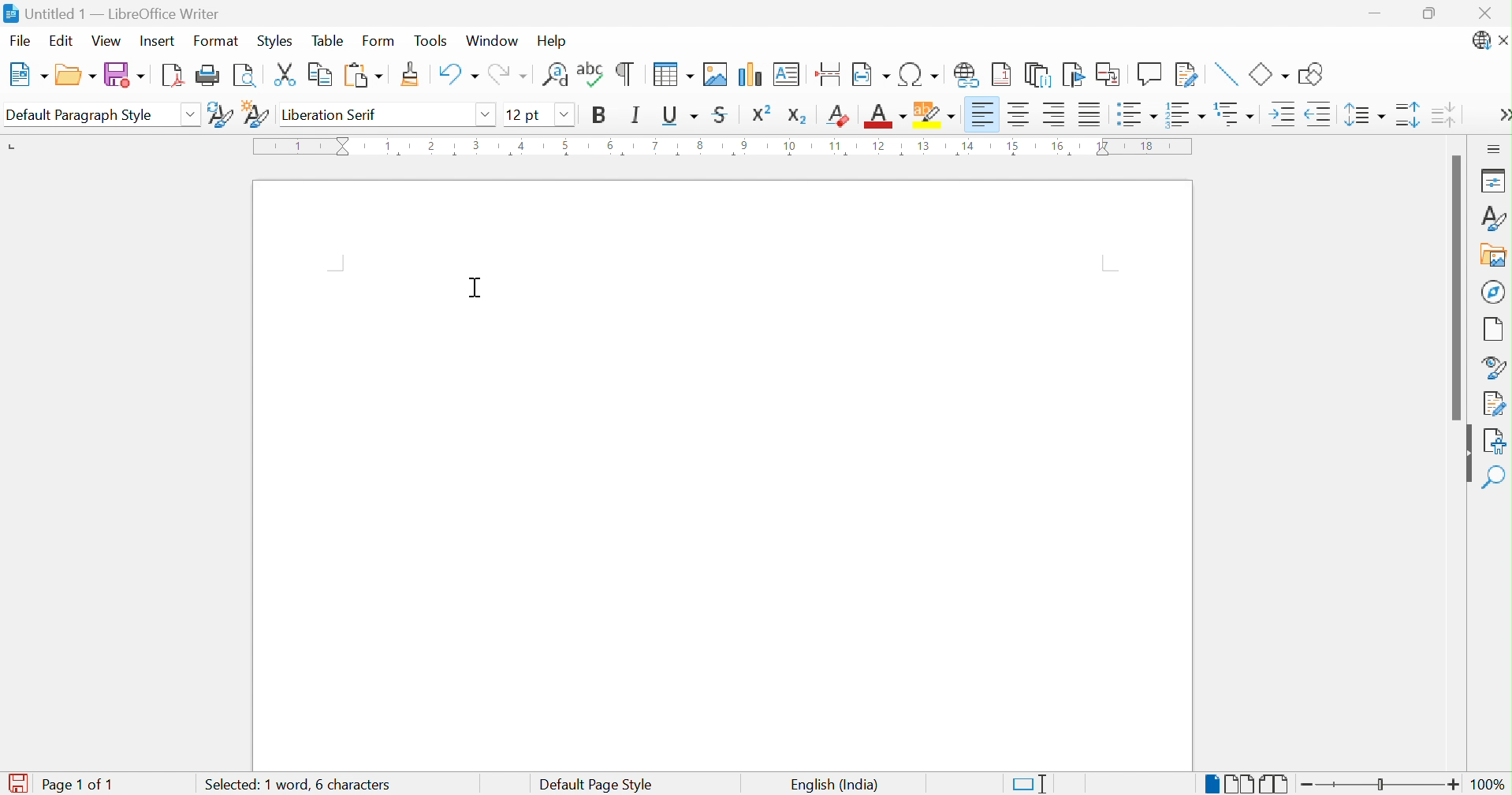 This screenshot has height=795, width=1512. Describe the element at coordinates (61, 41) in the screenshot. I see `Edit` at that location.